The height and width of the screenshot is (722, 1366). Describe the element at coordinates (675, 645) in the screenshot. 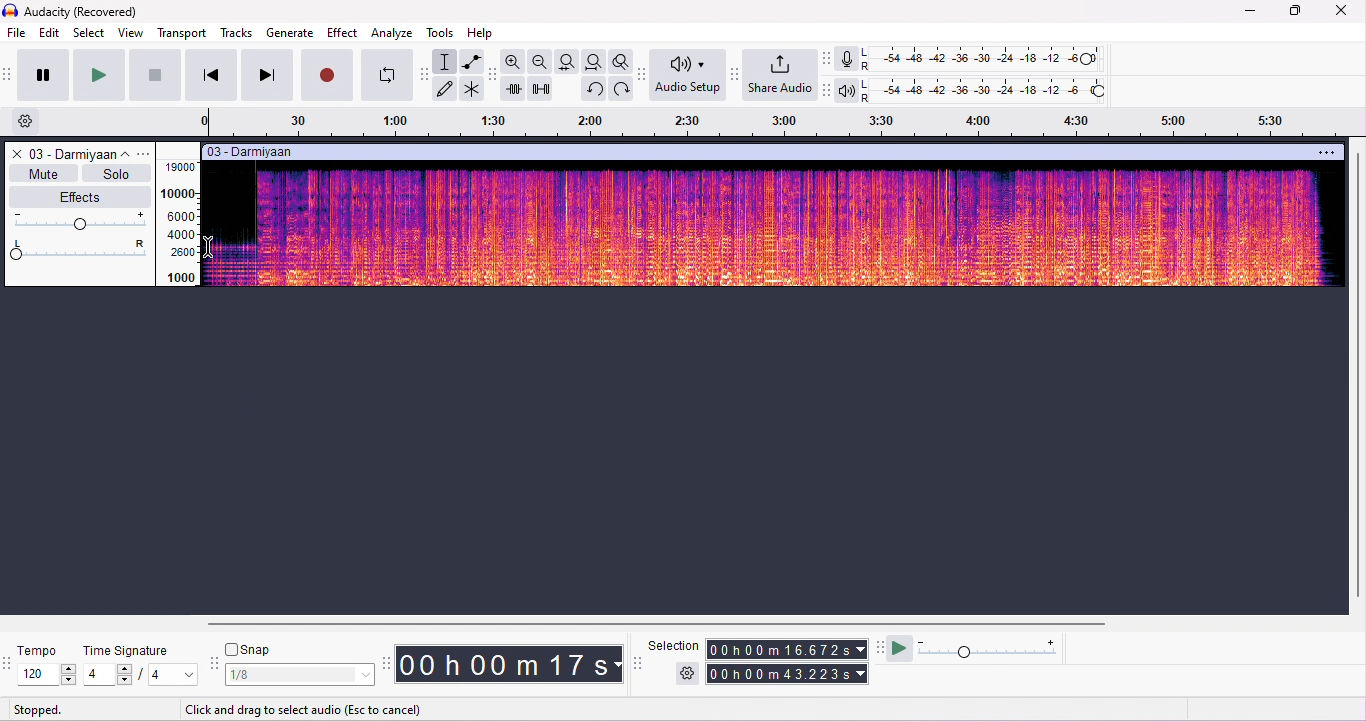

I see `selection` at that location.